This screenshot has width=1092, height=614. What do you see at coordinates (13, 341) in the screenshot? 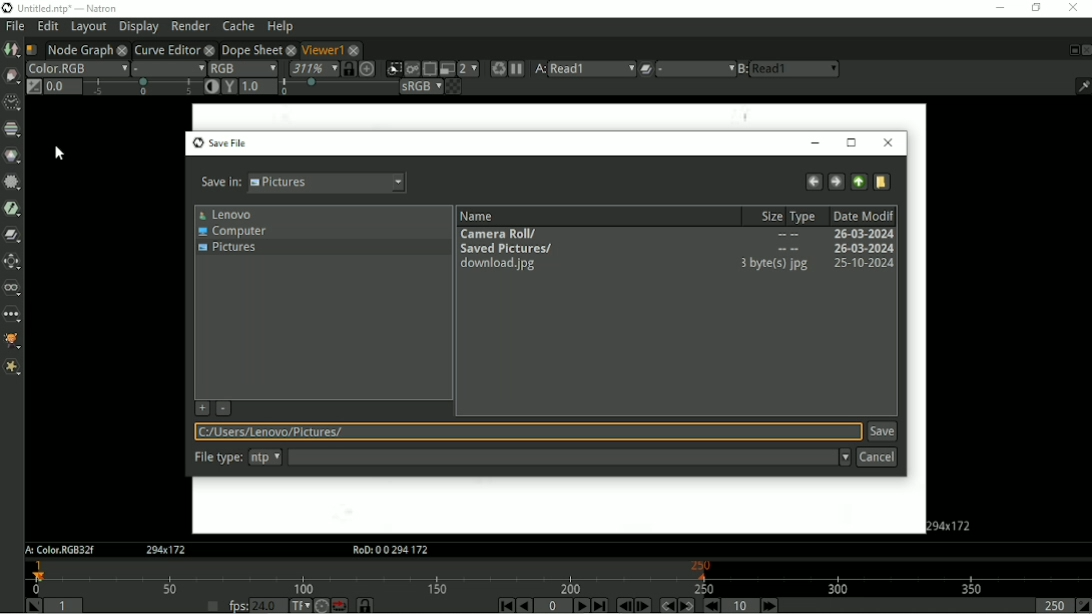
I see `GMIC` at bounding box center [13, 341].